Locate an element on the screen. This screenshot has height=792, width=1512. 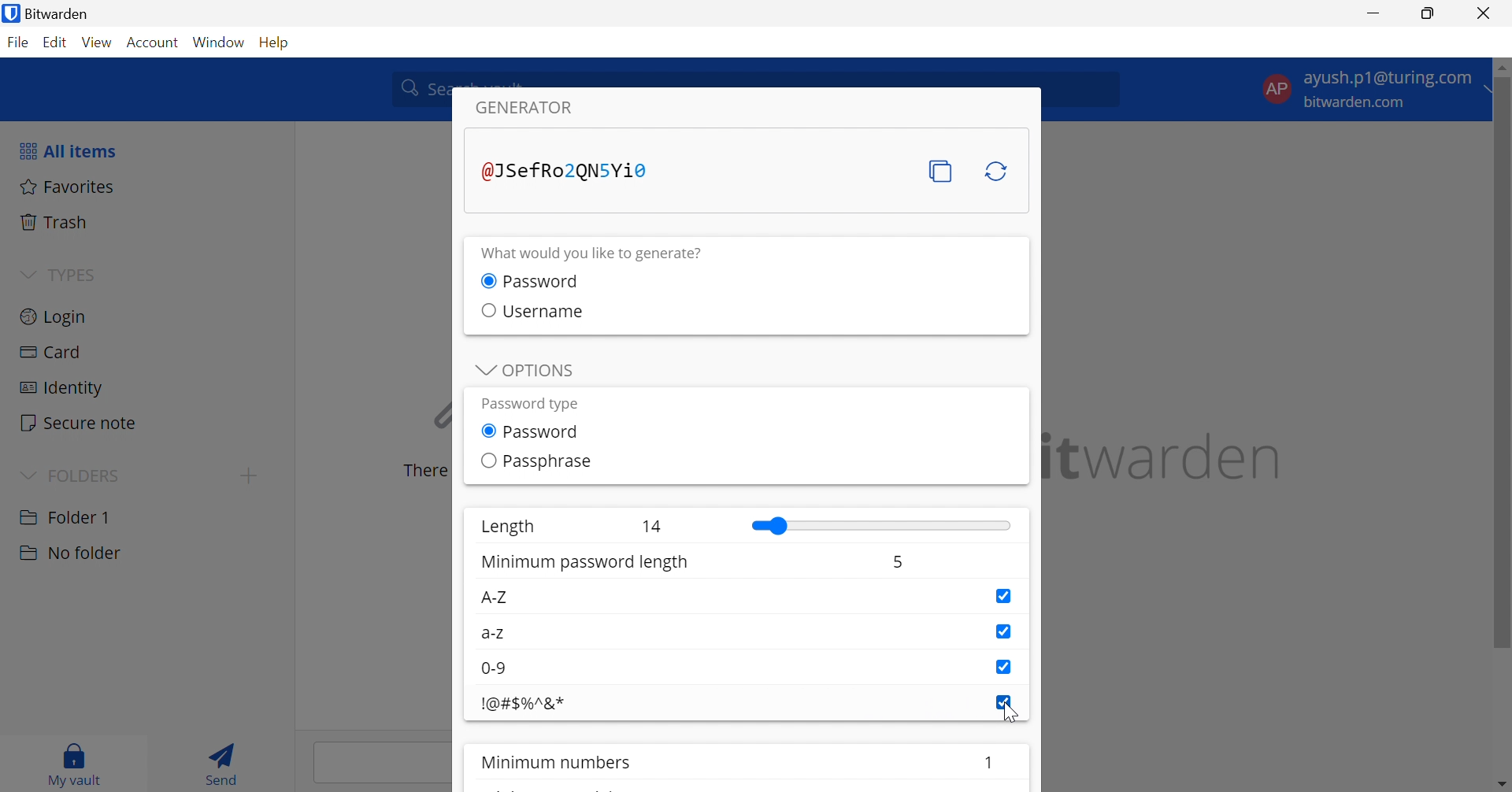
!@#$%^&* is located at coordinates (524, 705).